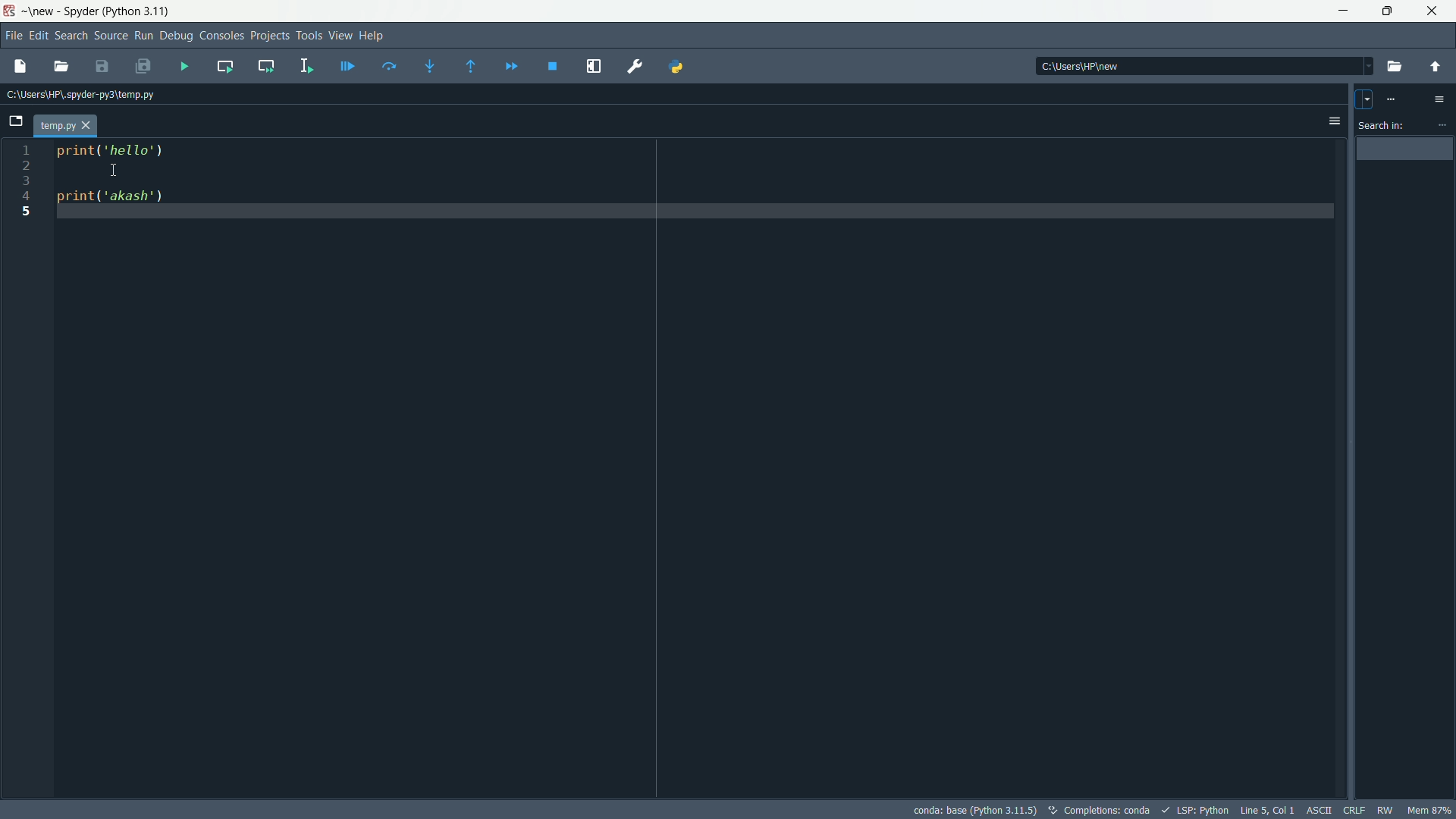 The height and width of the screenshot is (819, 1456). What do you see at coordinates (71, 36) in the screenshot?
I see `search menu` at bounding box center [71, 36].